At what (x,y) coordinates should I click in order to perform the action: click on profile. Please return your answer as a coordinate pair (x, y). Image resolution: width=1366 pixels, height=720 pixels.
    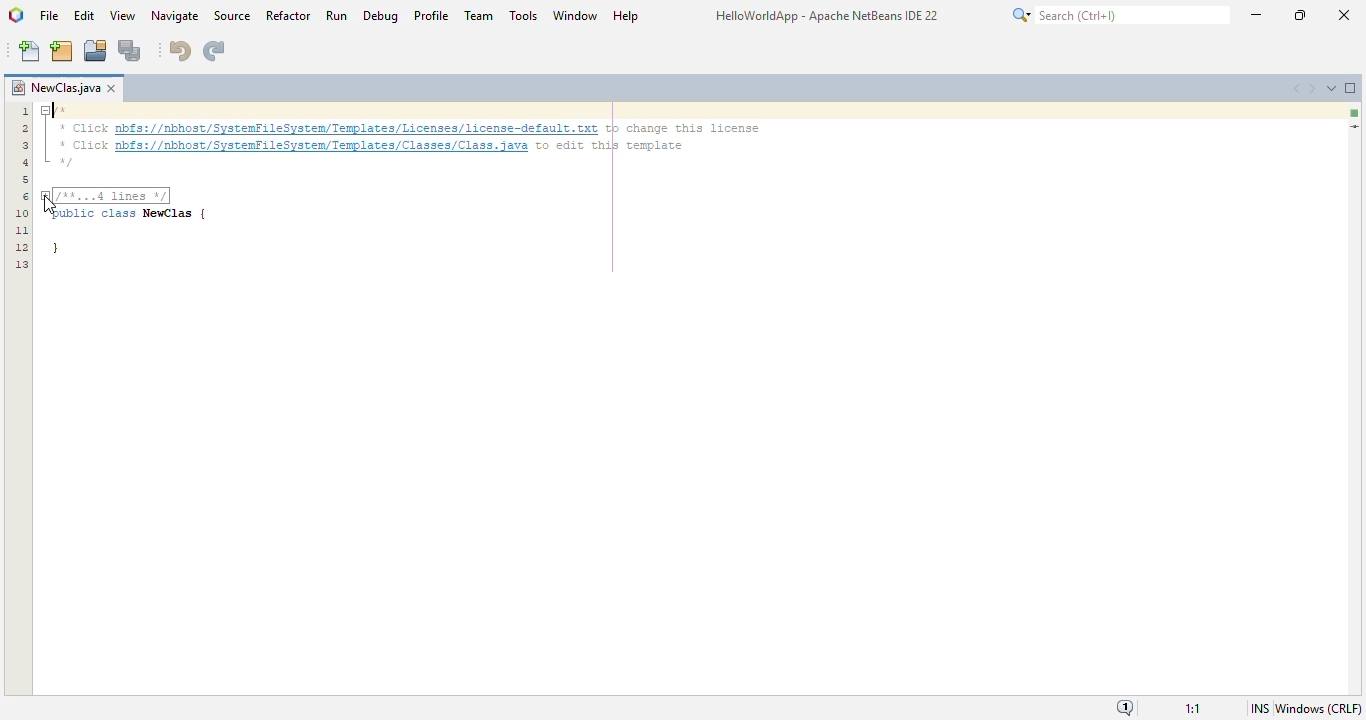
    Looking at the image, I should click on (432, 15).